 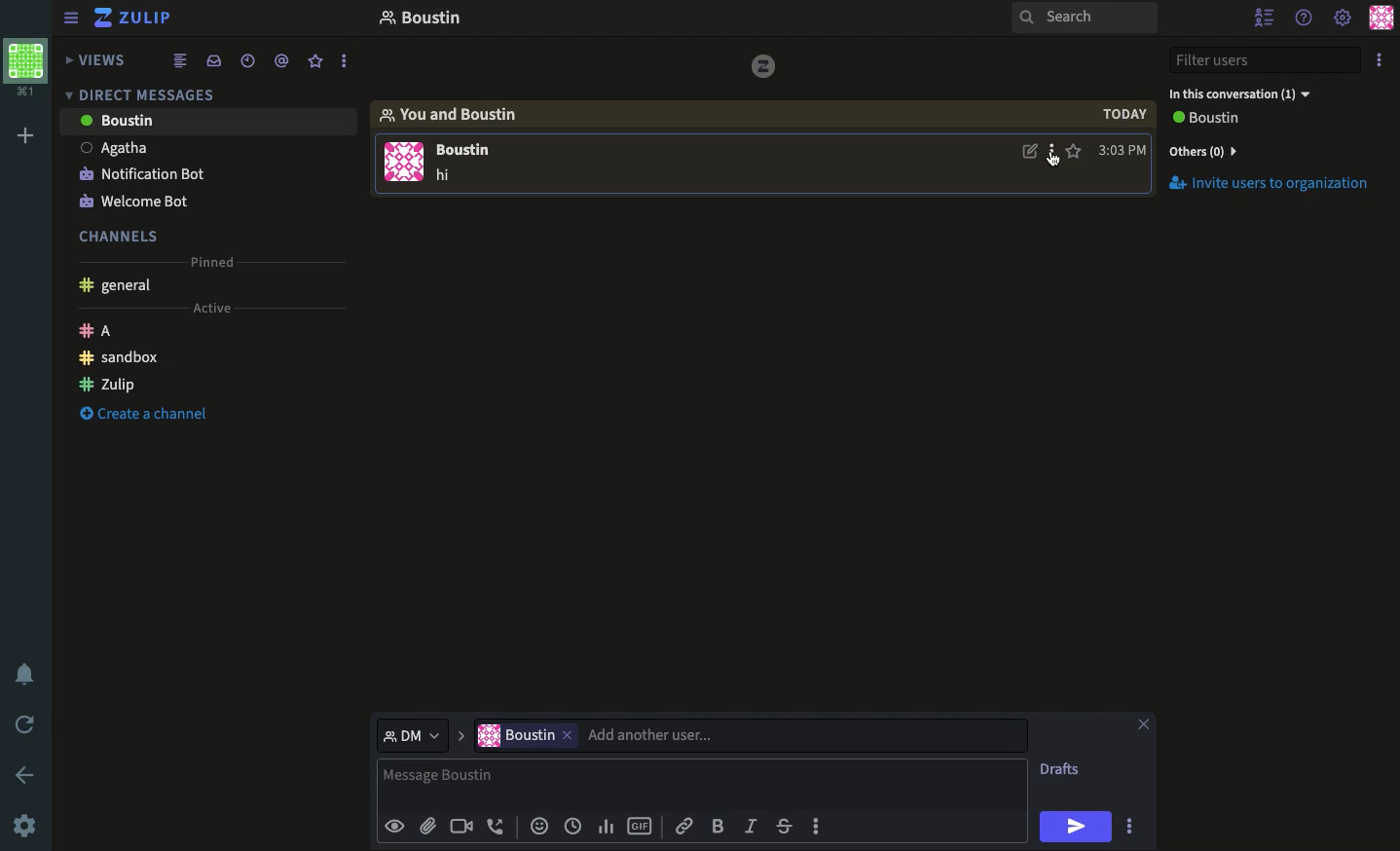 I want to click on Favorites, so click(x=316, y=61).